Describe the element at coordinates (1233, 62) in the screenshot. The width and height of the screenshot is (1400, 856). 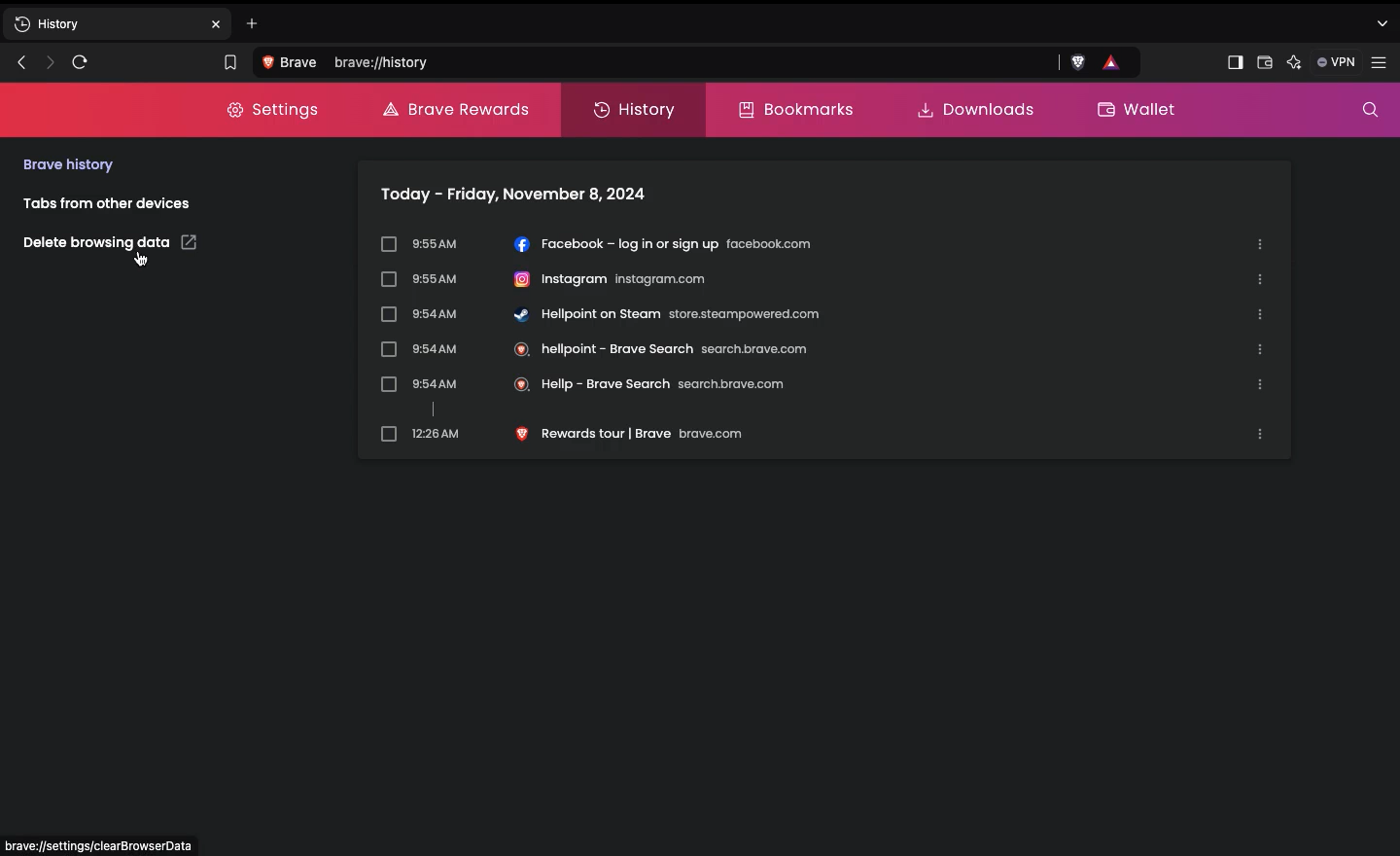
I see `Sidebar` at that location.